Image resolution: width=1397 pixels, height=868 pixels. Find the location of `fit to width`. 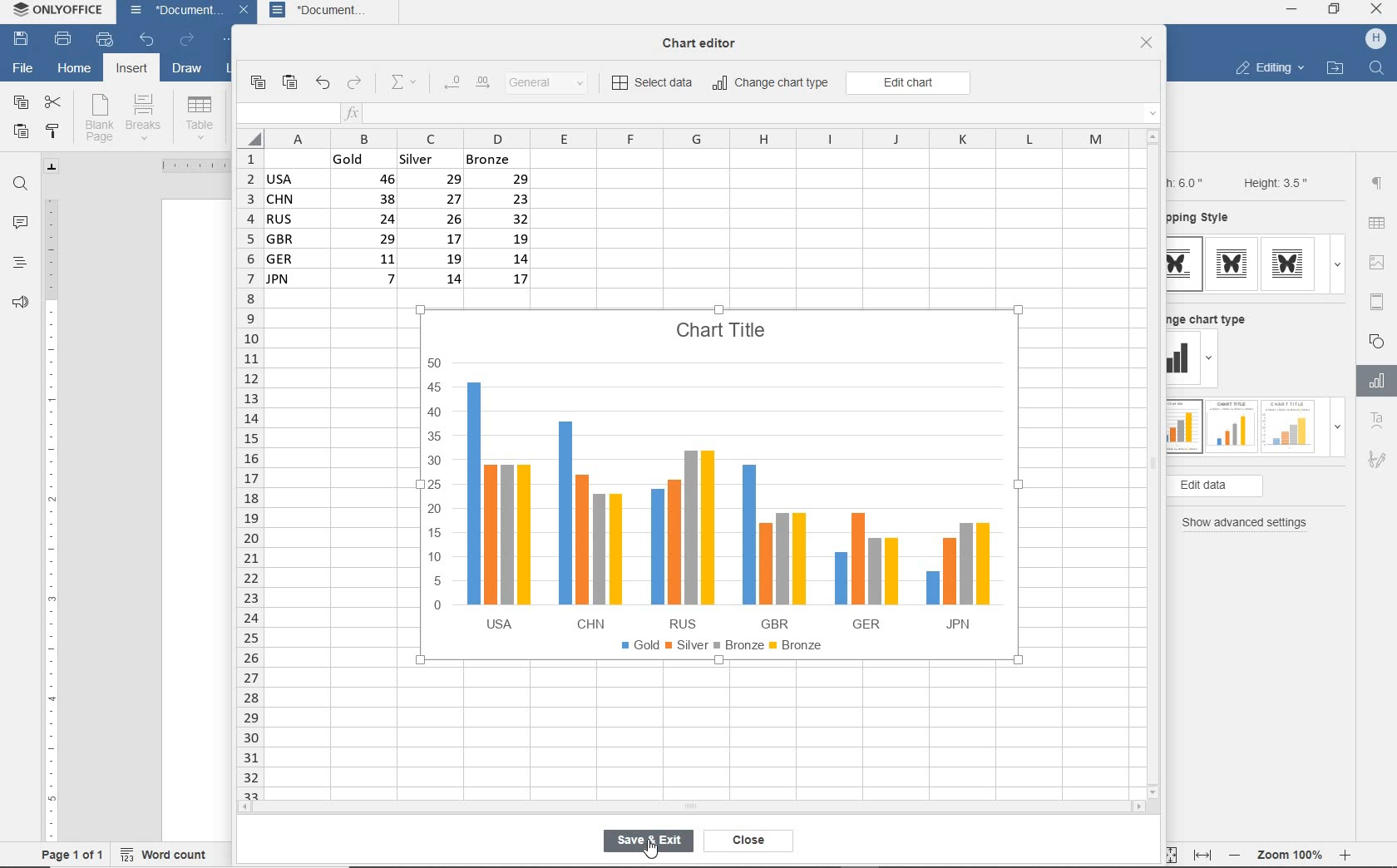

fit to width is located at coordinates (1202, 855).